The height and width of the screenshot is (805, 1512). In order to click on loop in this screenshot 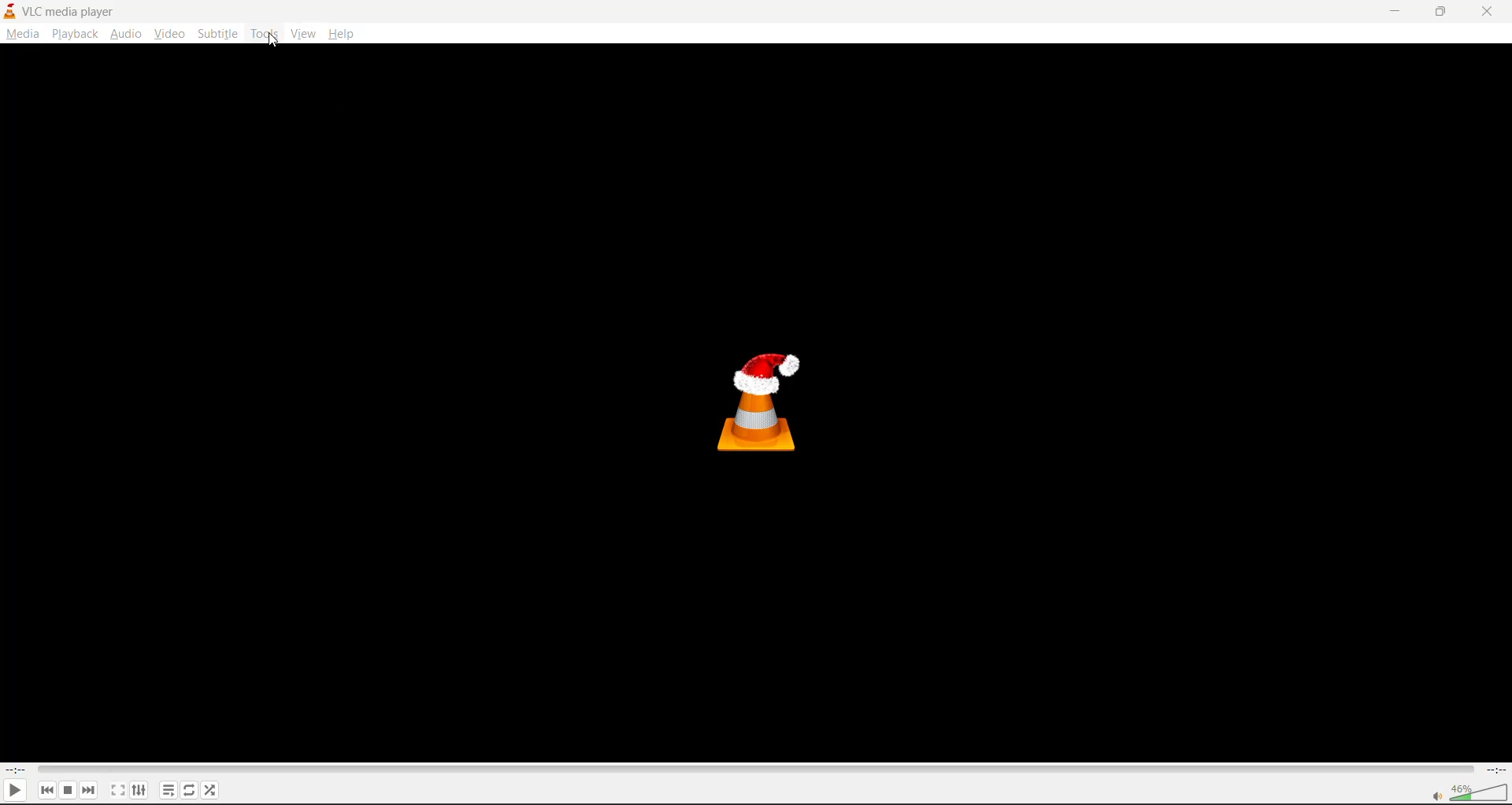, I will do `click(187, 789)`.